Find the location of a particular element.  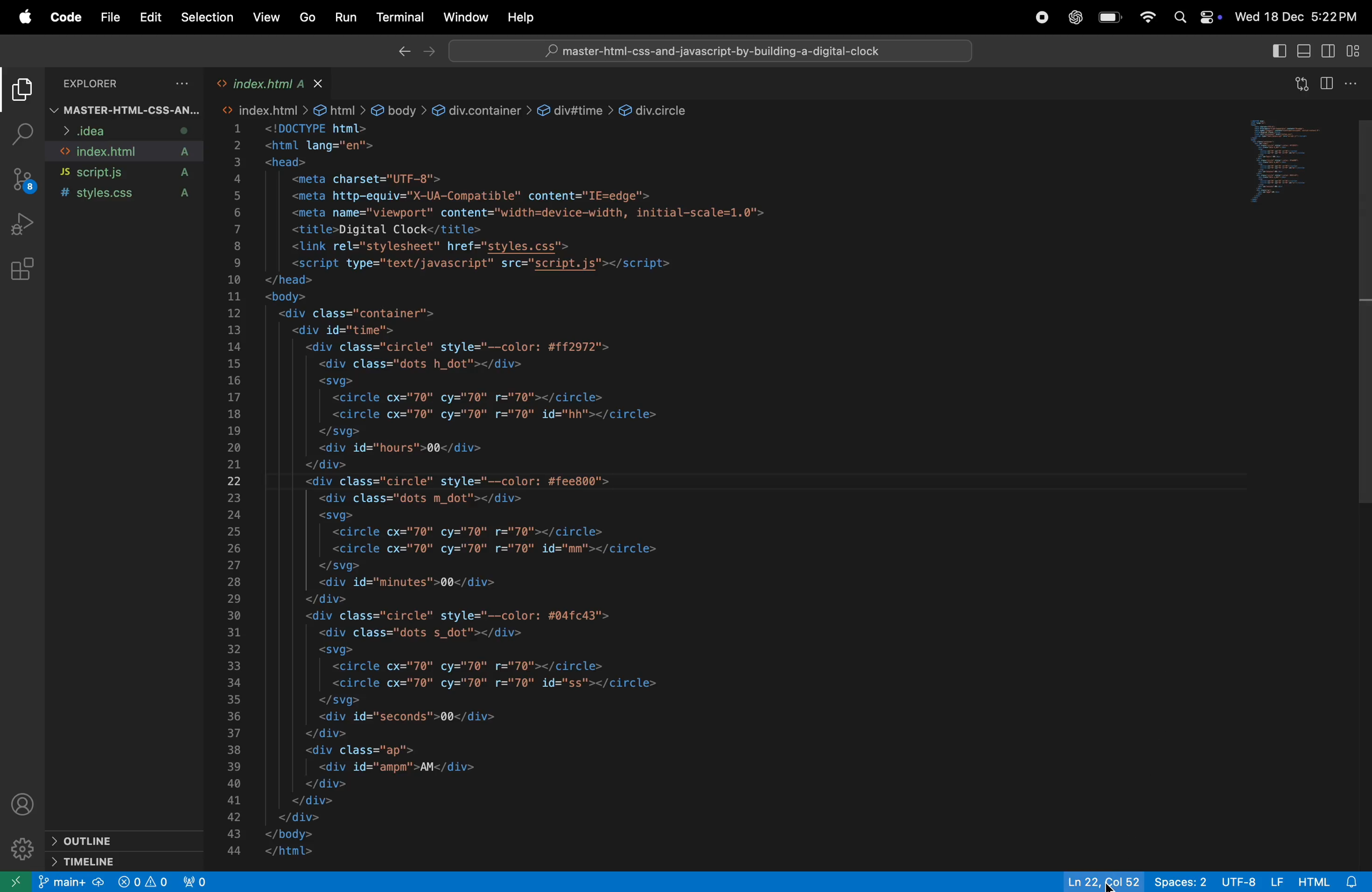

spaces 2 is located at coordinates (1178, 882).